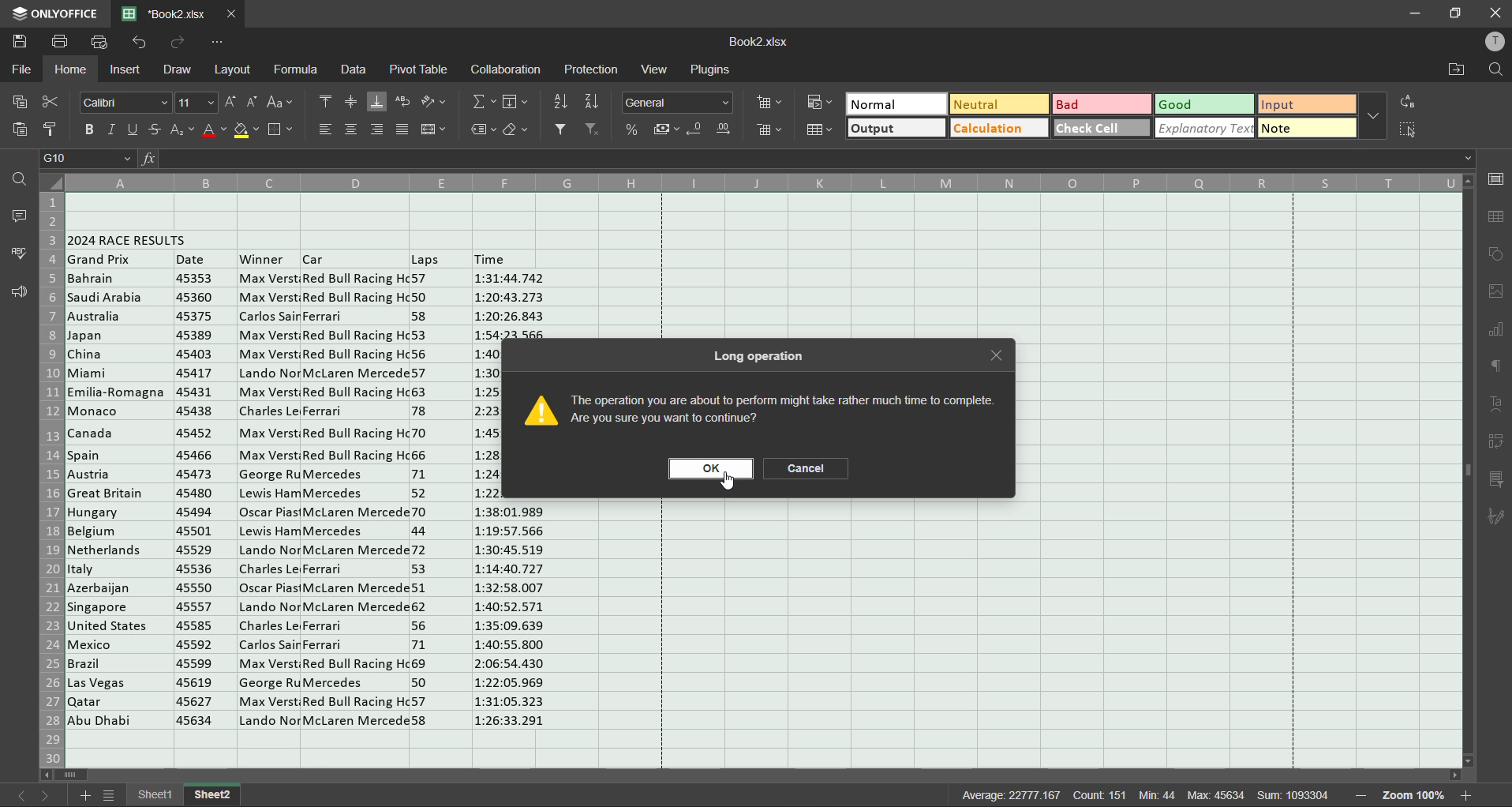 The height and width of the screenshot is (807, 1512). Describe the element at coordinates (15, 794) in the screenshot. I see `previous` at that location.